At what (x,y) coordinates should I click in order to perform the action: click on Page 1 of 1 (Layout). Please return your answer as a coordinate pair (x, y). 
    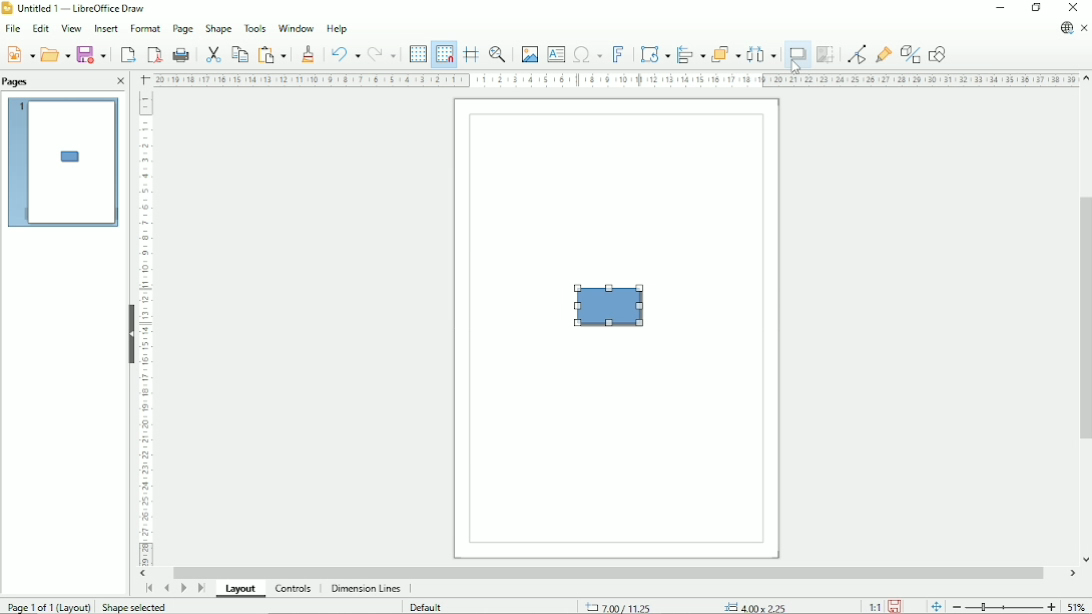
    Looking at the image, I should click on (47, 606).